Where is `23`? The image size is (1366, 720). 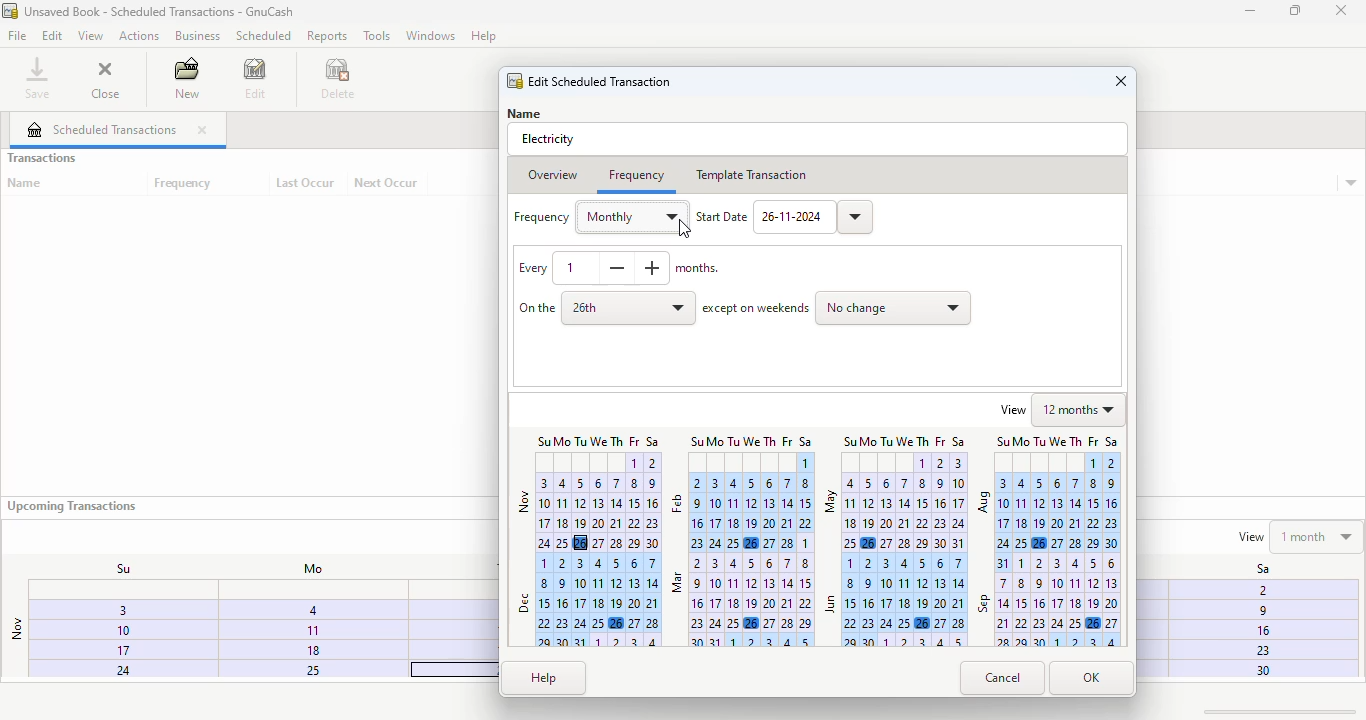
23 is located at coordinates (1260, 650).